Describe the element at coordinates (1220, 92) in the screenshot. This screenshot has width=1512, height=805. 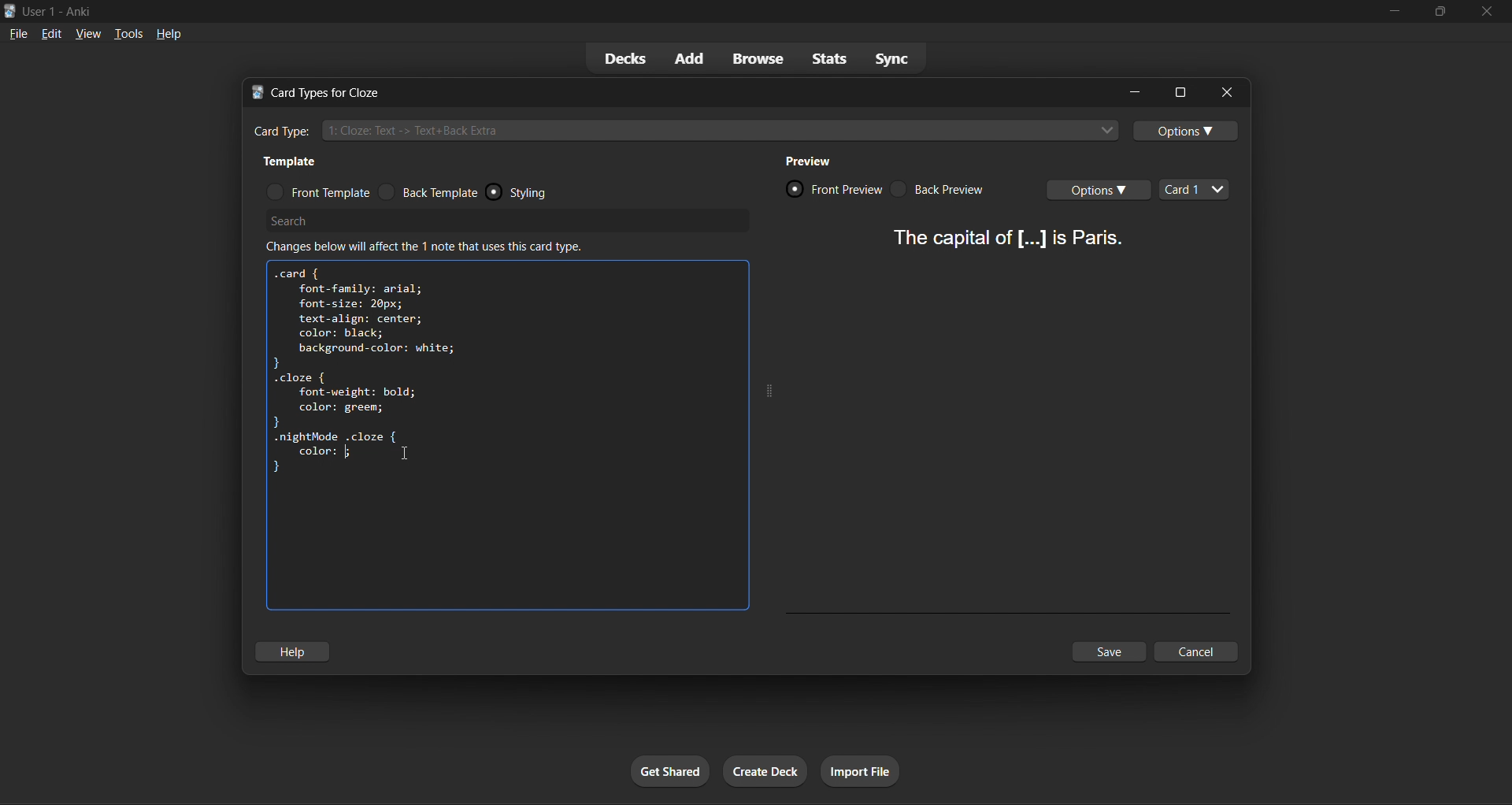
I see `close` at that location.